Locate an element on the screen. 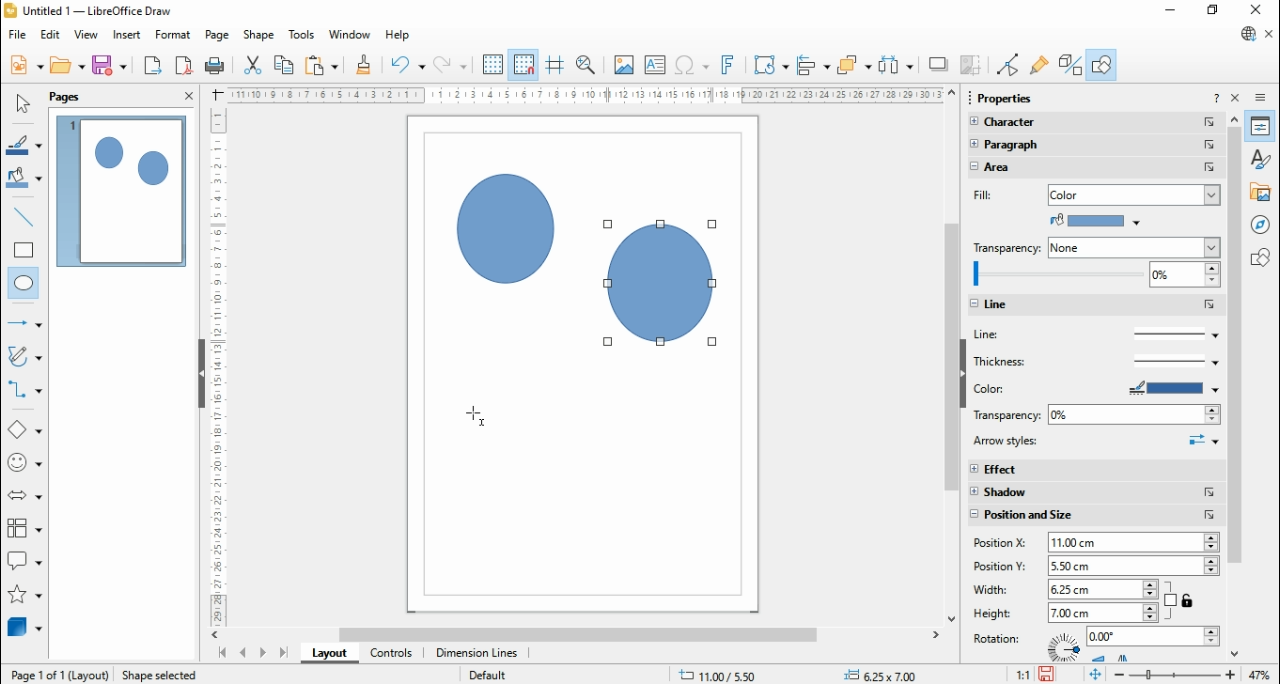  hide is located at coordinates (962, 374).